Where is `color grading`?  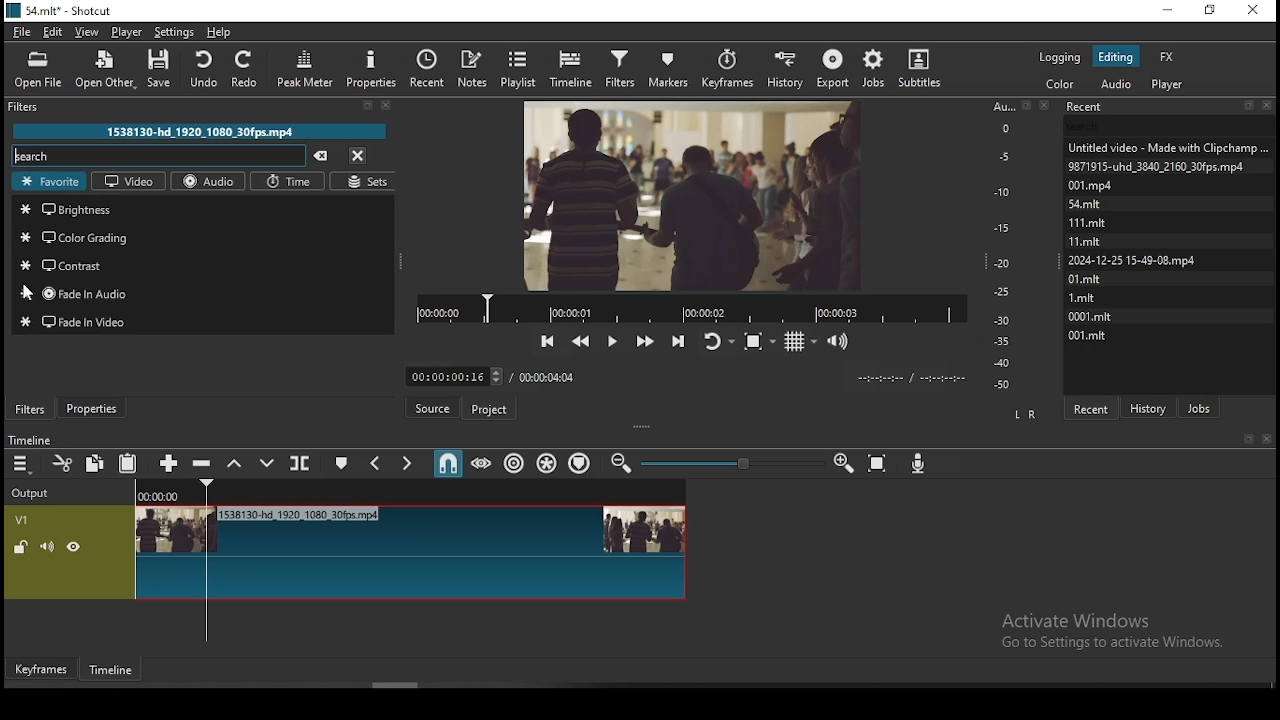 color grading is located at coordinates (203, 237).